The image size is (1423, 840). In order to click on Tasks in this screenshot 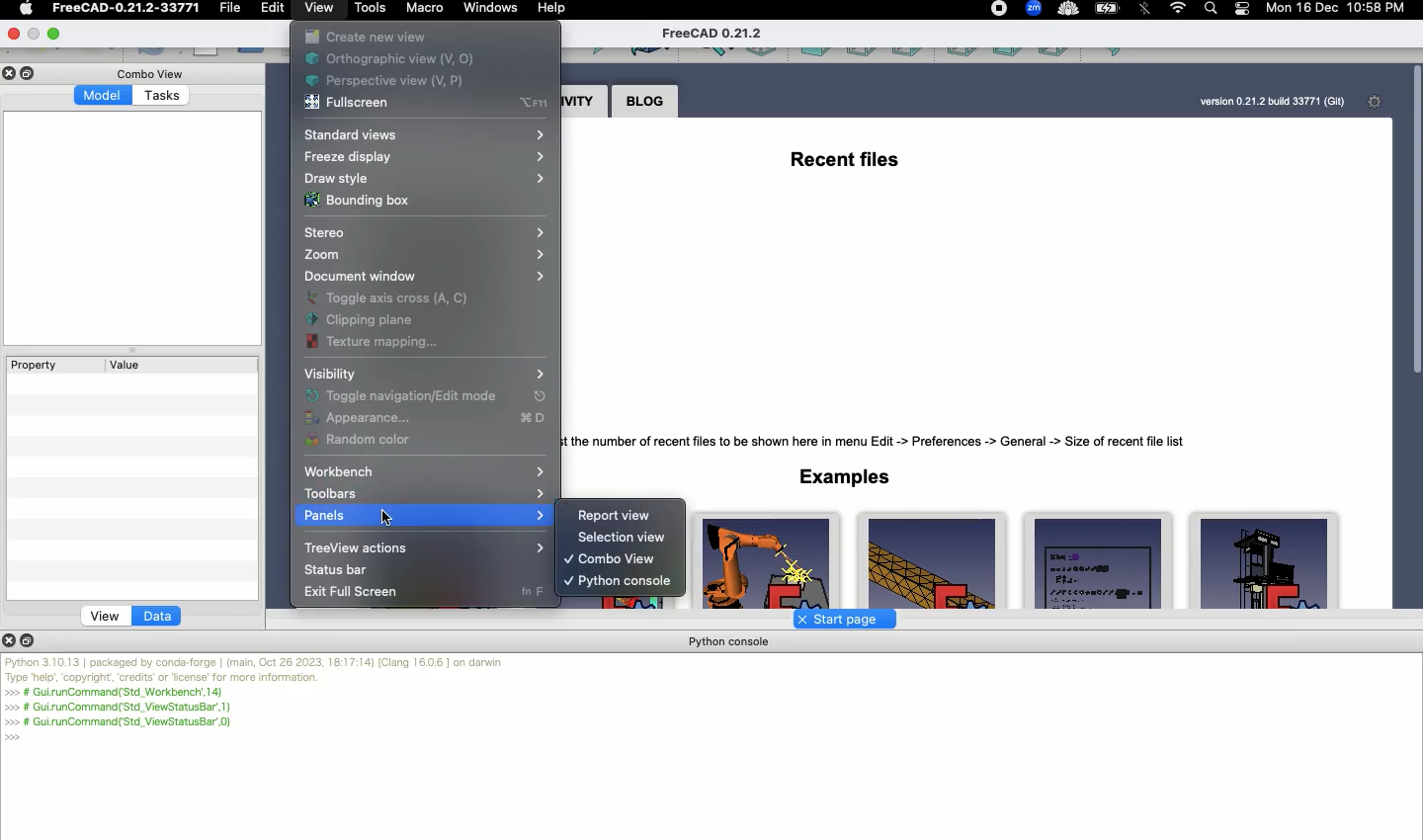, I will do `click(164, 98)`.